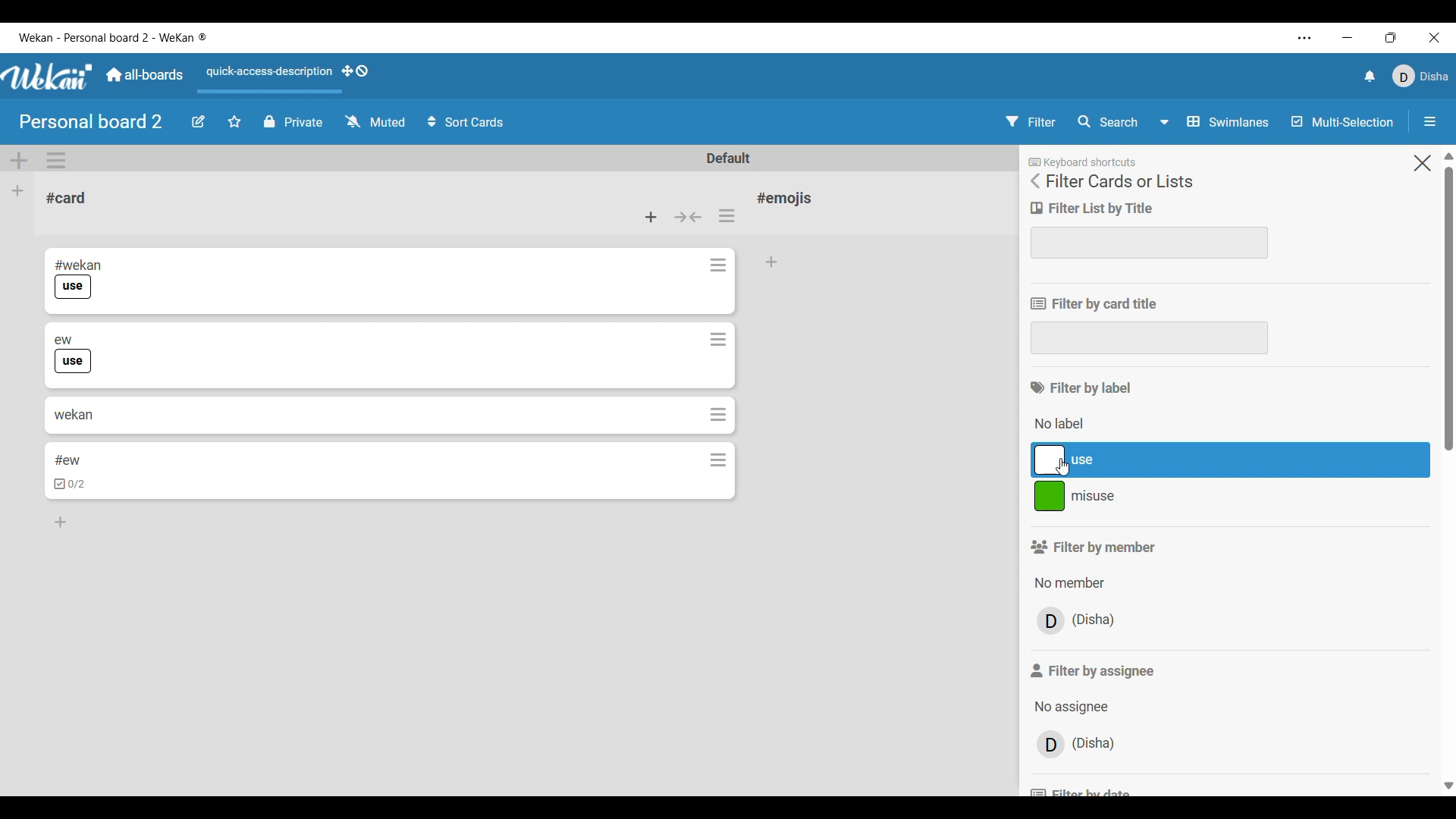 This screenshot has width=1456, height=819. Describe the element at coordinates (1370, 77) in the screenshot. I see `Notifications ` at that location.